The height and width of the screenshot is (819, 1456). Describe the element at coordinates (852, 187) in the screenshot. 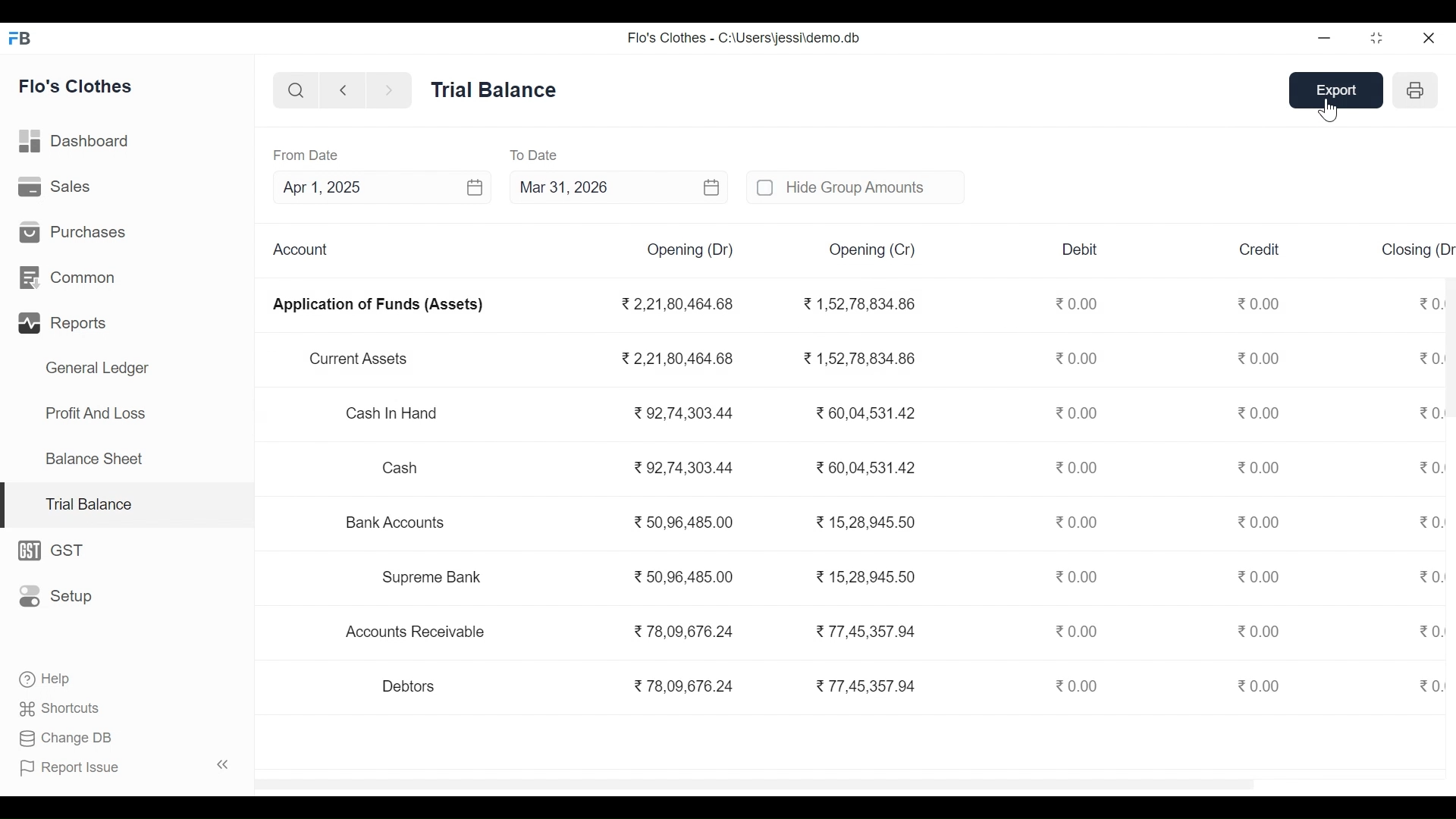

I see `unchecked Hide Group Amounts` at that location.